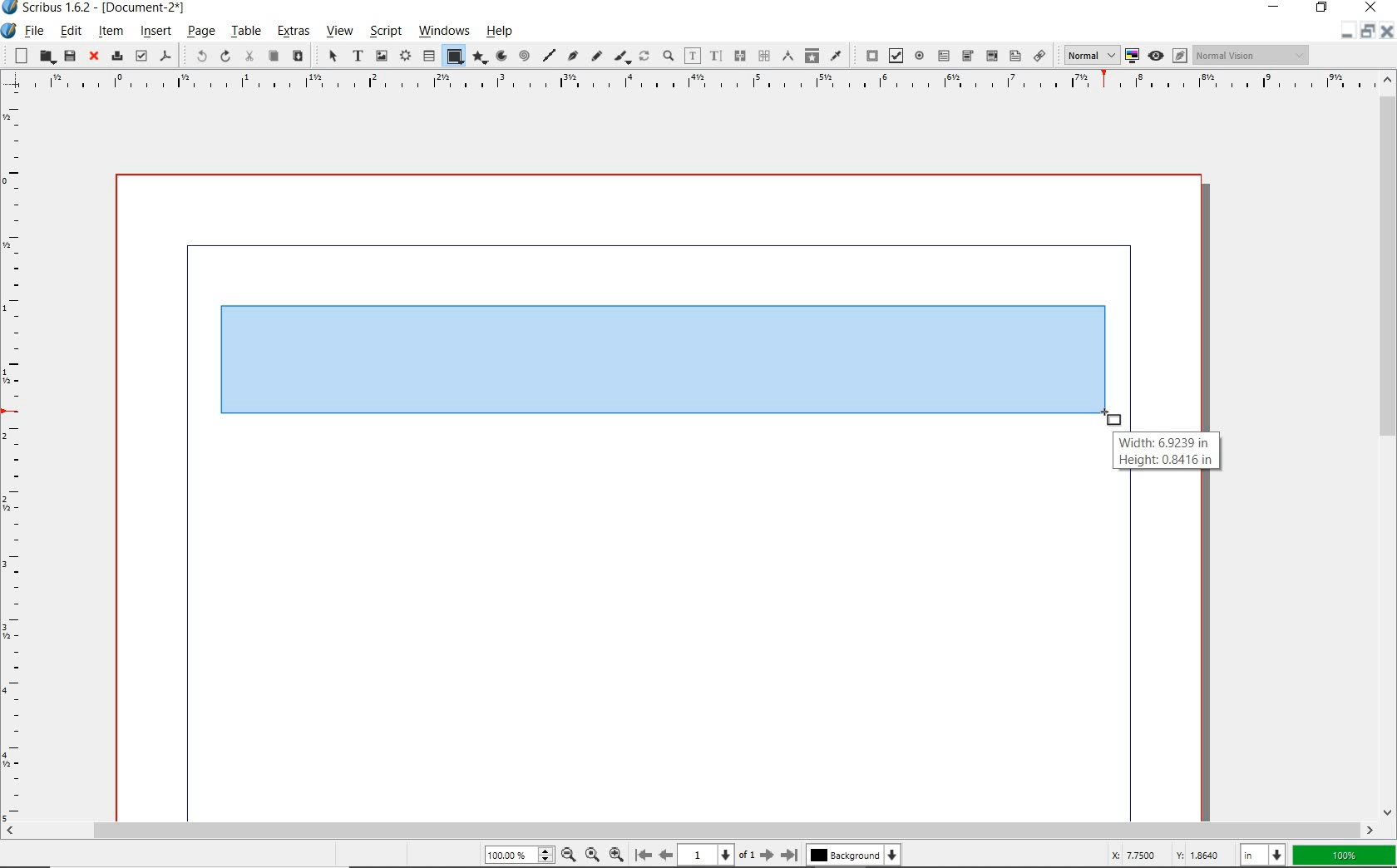 This screenshot has width=1397, height=868. Describe the element at coordinates (502, 31) in the screenshot. I see `help` at that location.